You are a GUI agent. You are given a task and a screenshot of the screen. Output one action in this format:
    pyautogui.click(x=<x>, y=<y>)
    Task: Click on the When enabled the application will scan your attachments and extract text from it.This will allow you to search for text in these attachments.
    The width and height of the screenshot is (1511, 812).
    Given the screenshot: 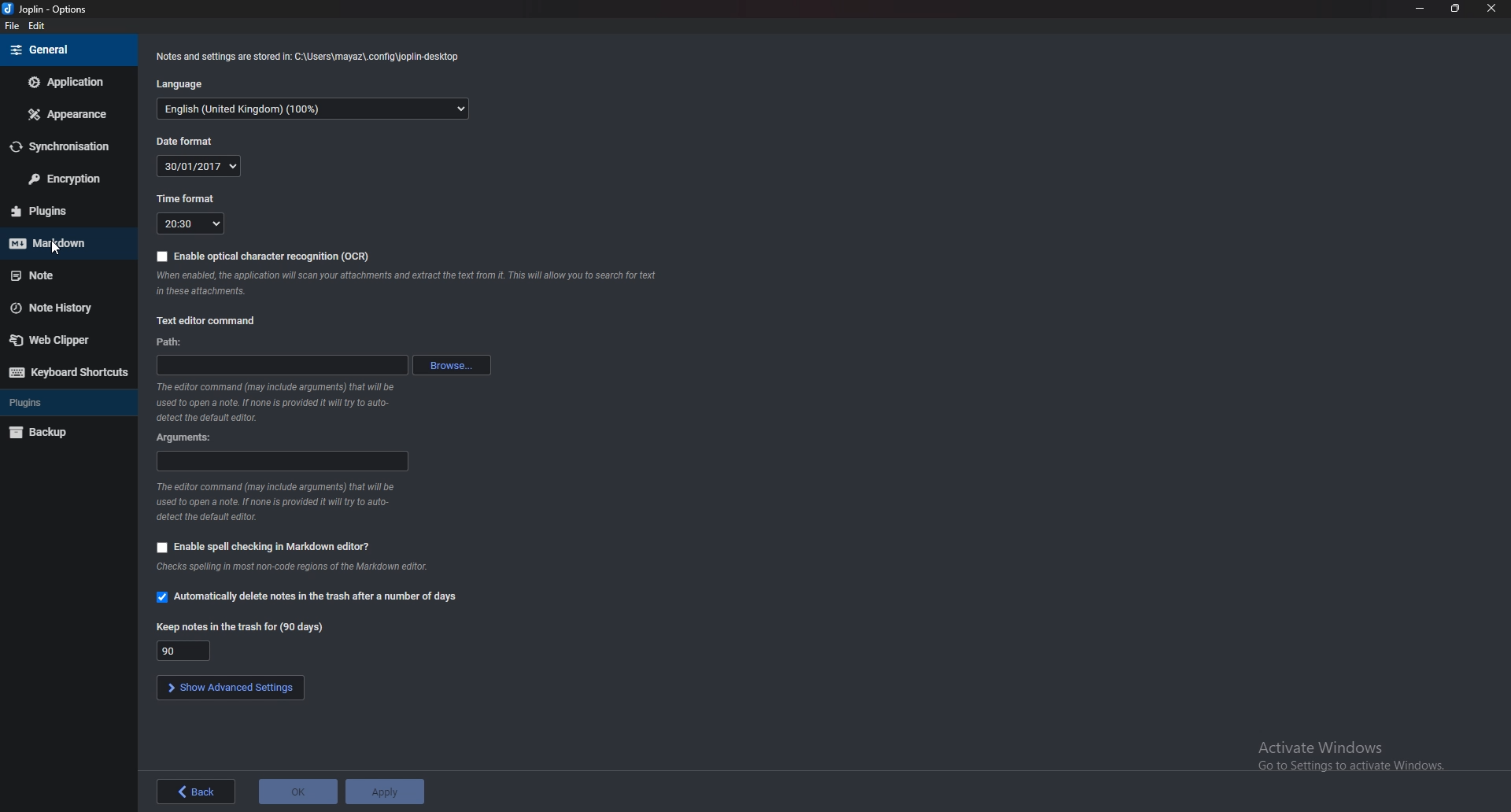 What is the action you would take?
    pyautogui.click(x=412, y=284)
    